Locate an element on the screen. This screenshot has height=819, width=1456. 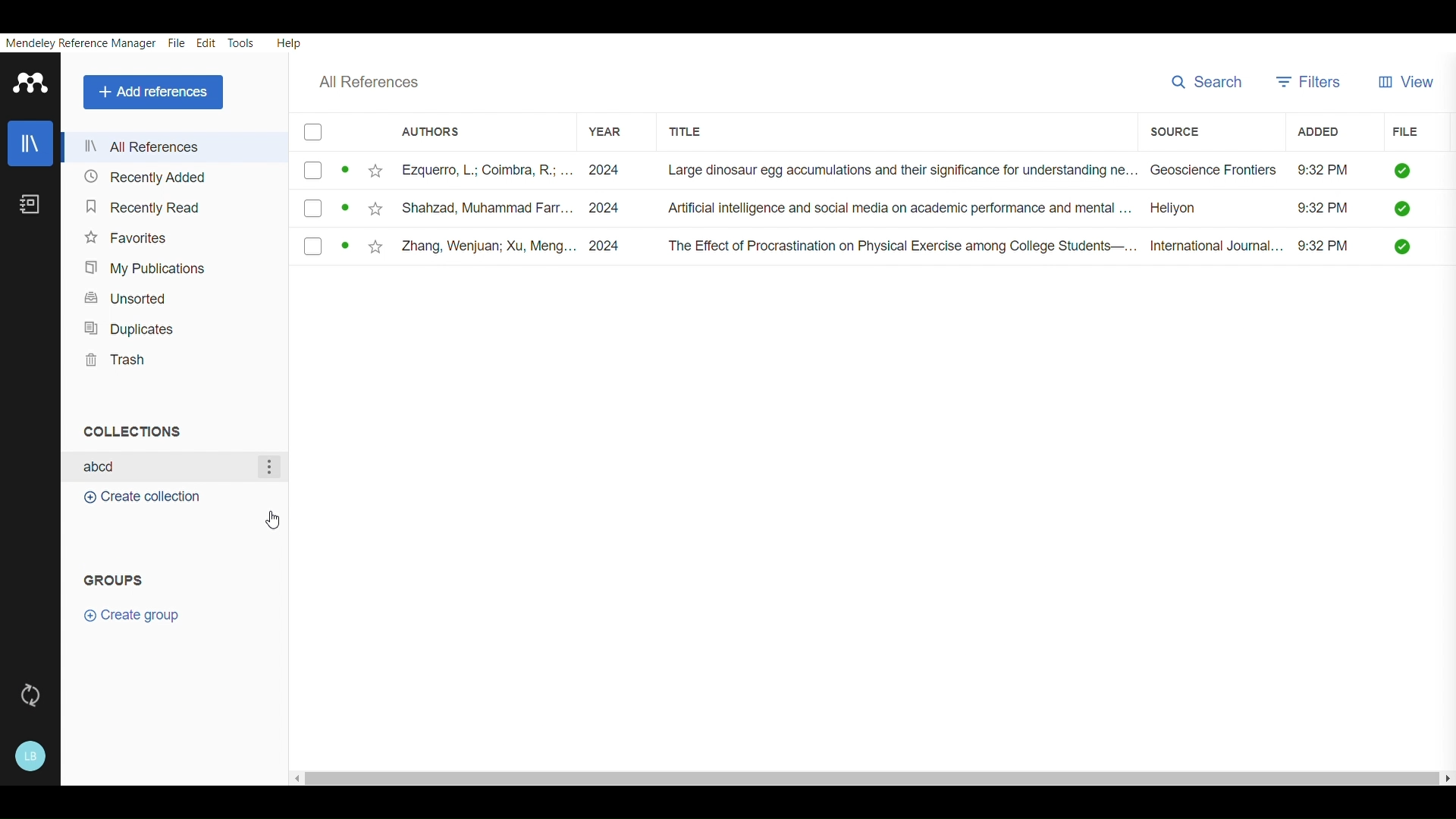
checkbox is located at coordinates (313, 132).